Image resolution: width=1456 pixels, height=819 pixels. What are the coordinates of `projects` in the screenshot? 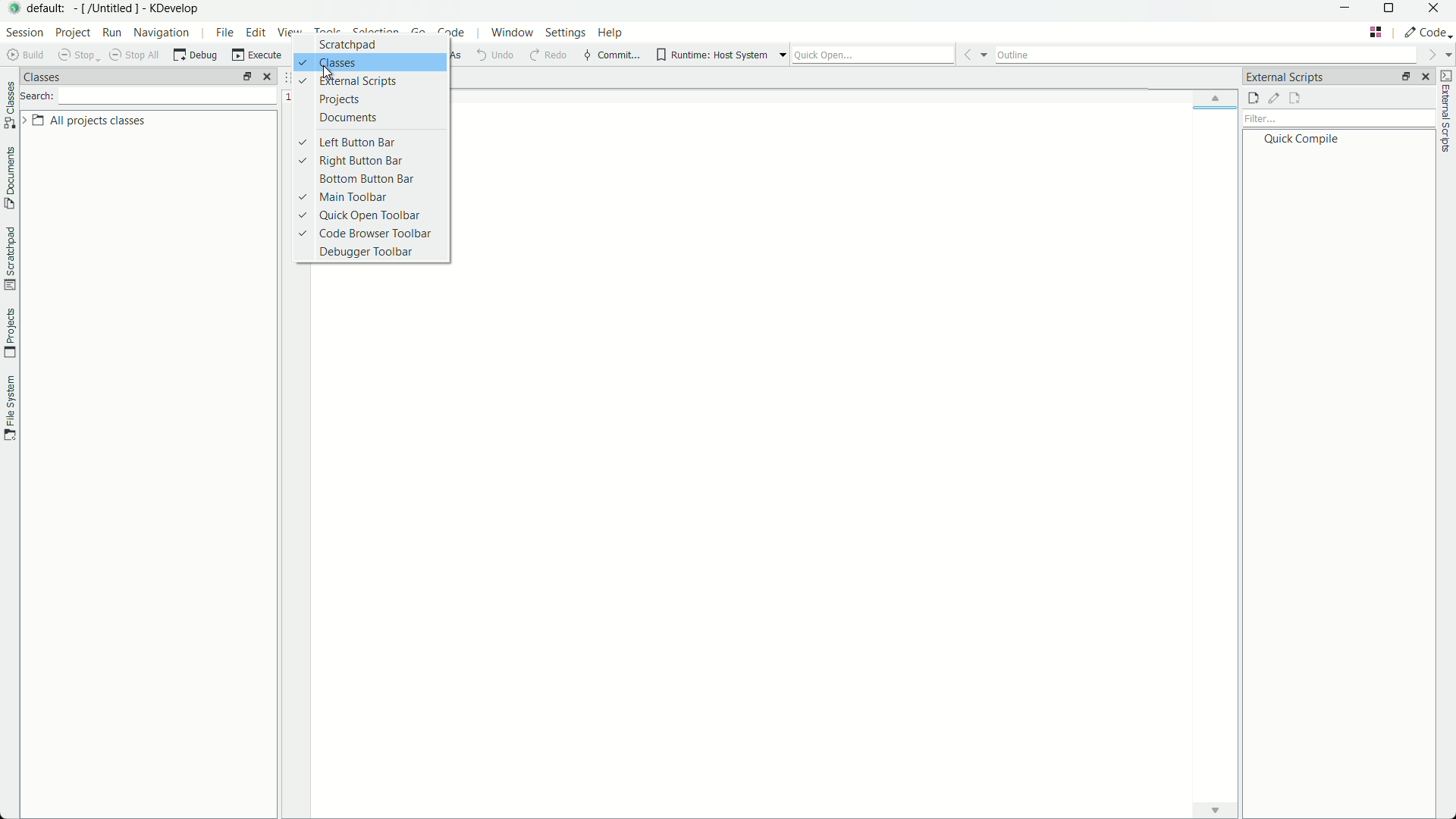 It's located at (372, 99).